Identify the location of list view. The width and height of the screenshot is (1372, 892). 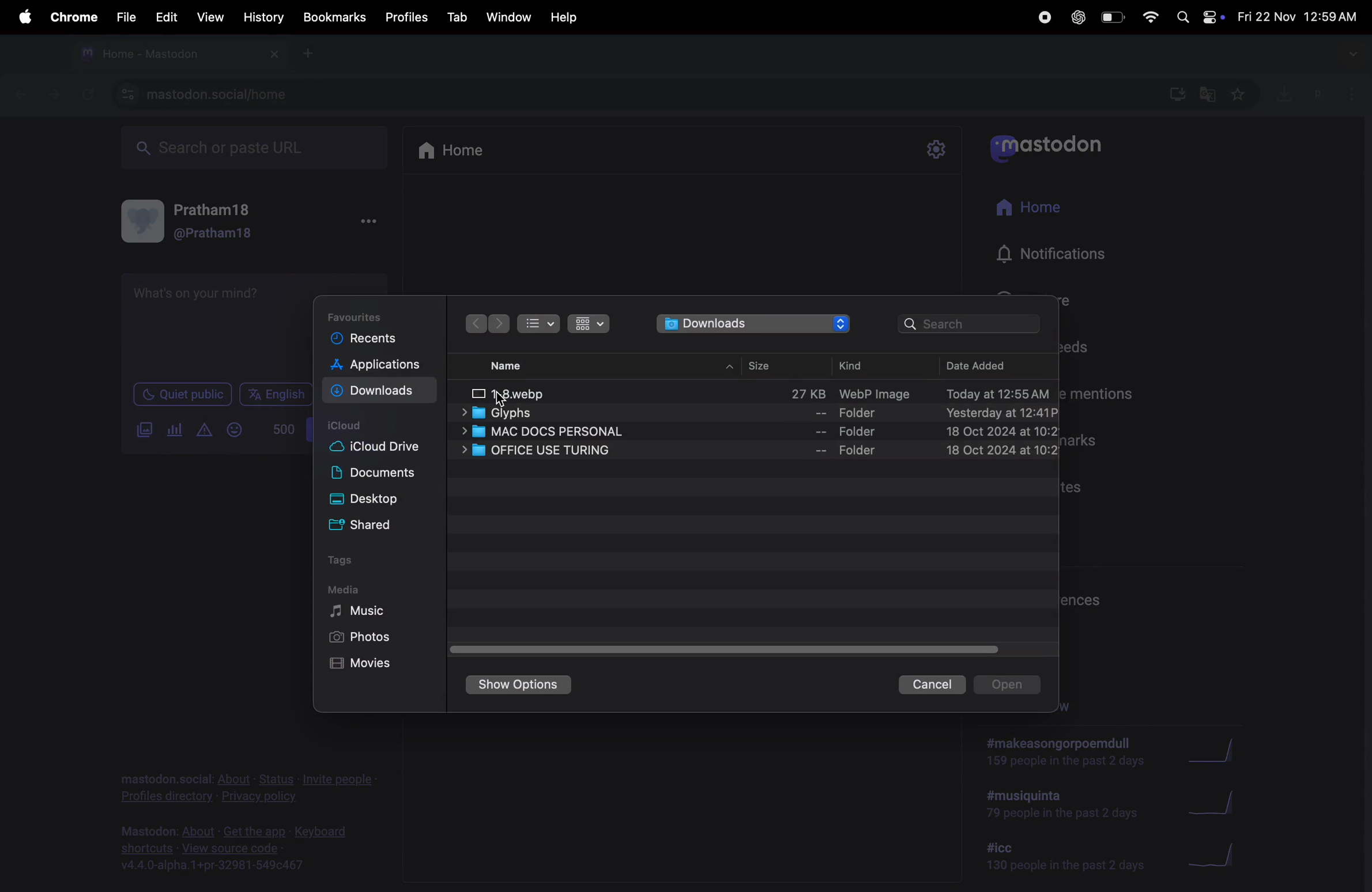
(539, 322).